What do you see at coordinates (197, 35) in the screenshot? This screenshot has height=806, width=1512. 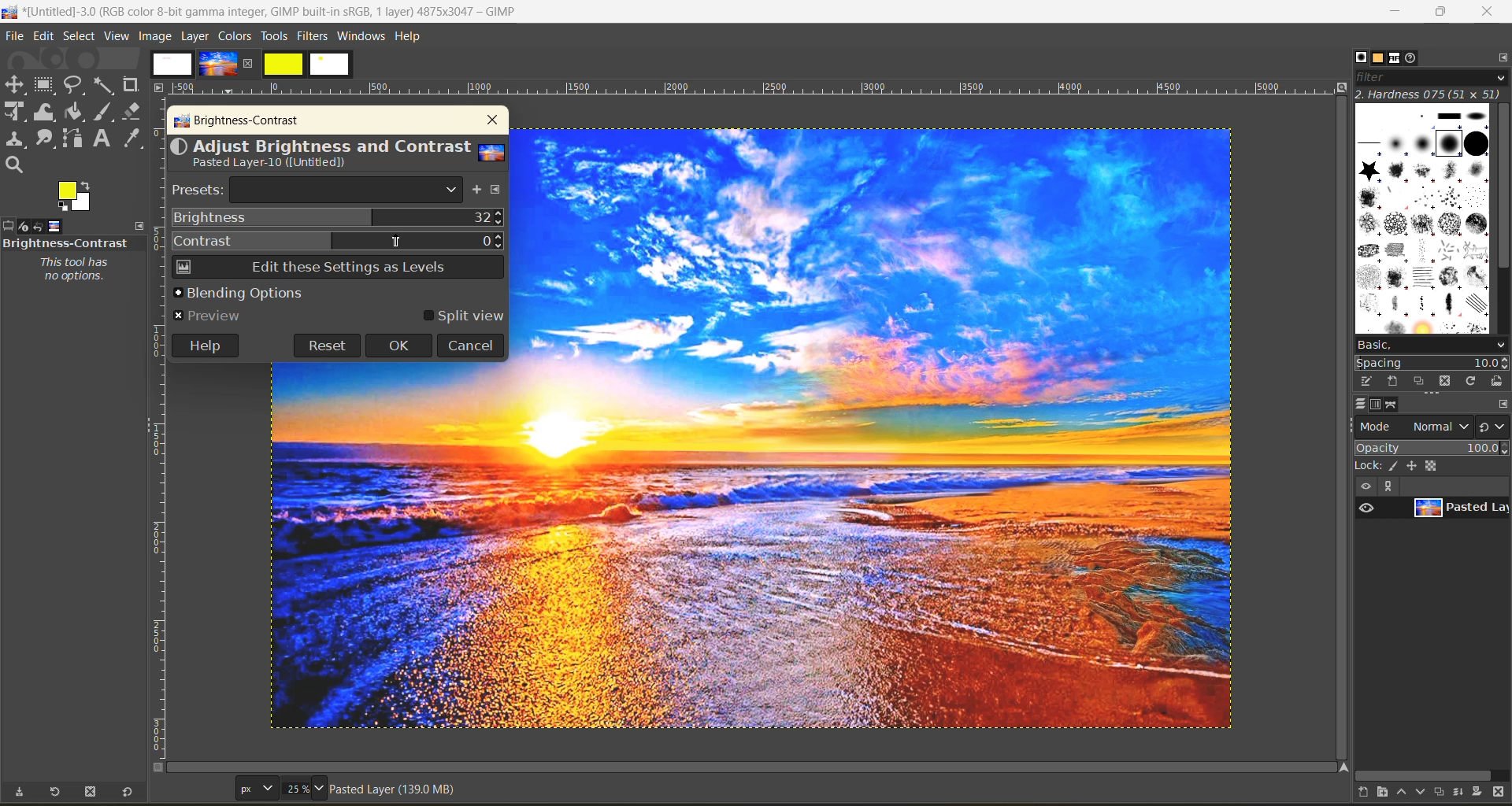 I see `layer` at bounding box center [197, 35].